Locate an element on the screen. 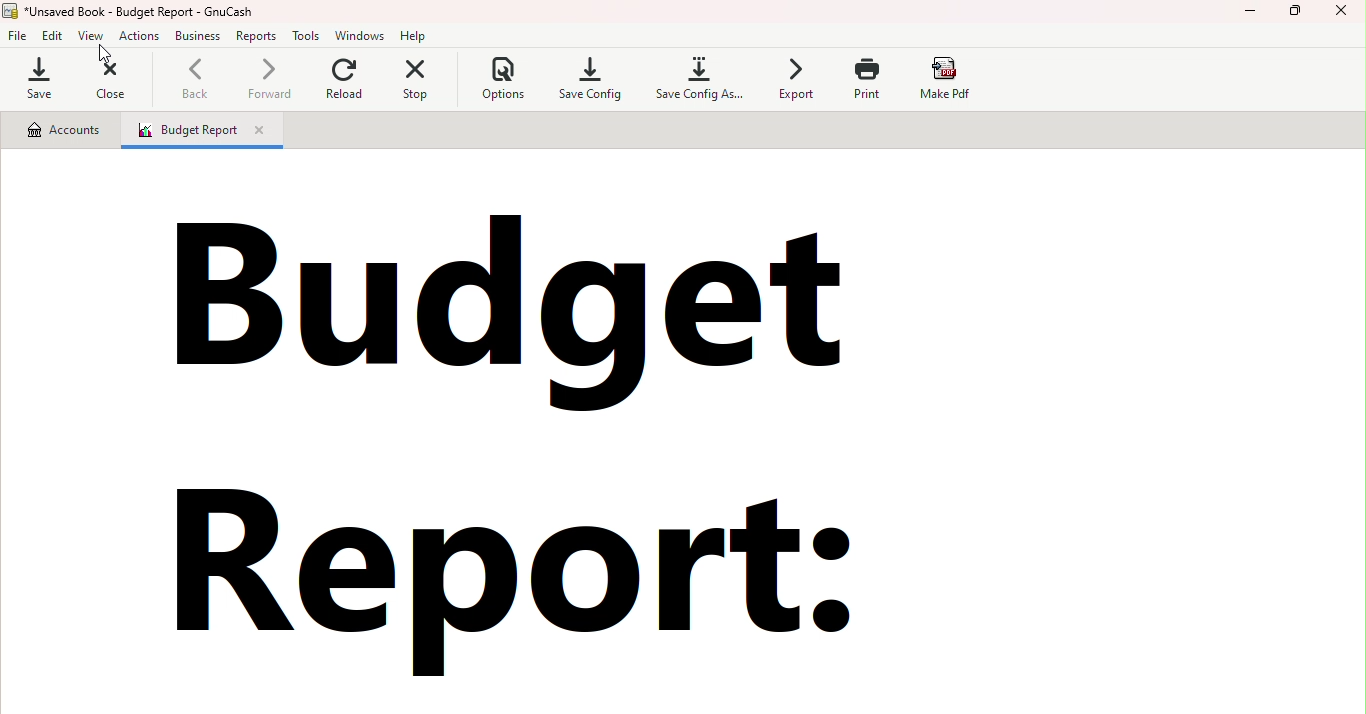  Close is located at coordinates (105, 79).